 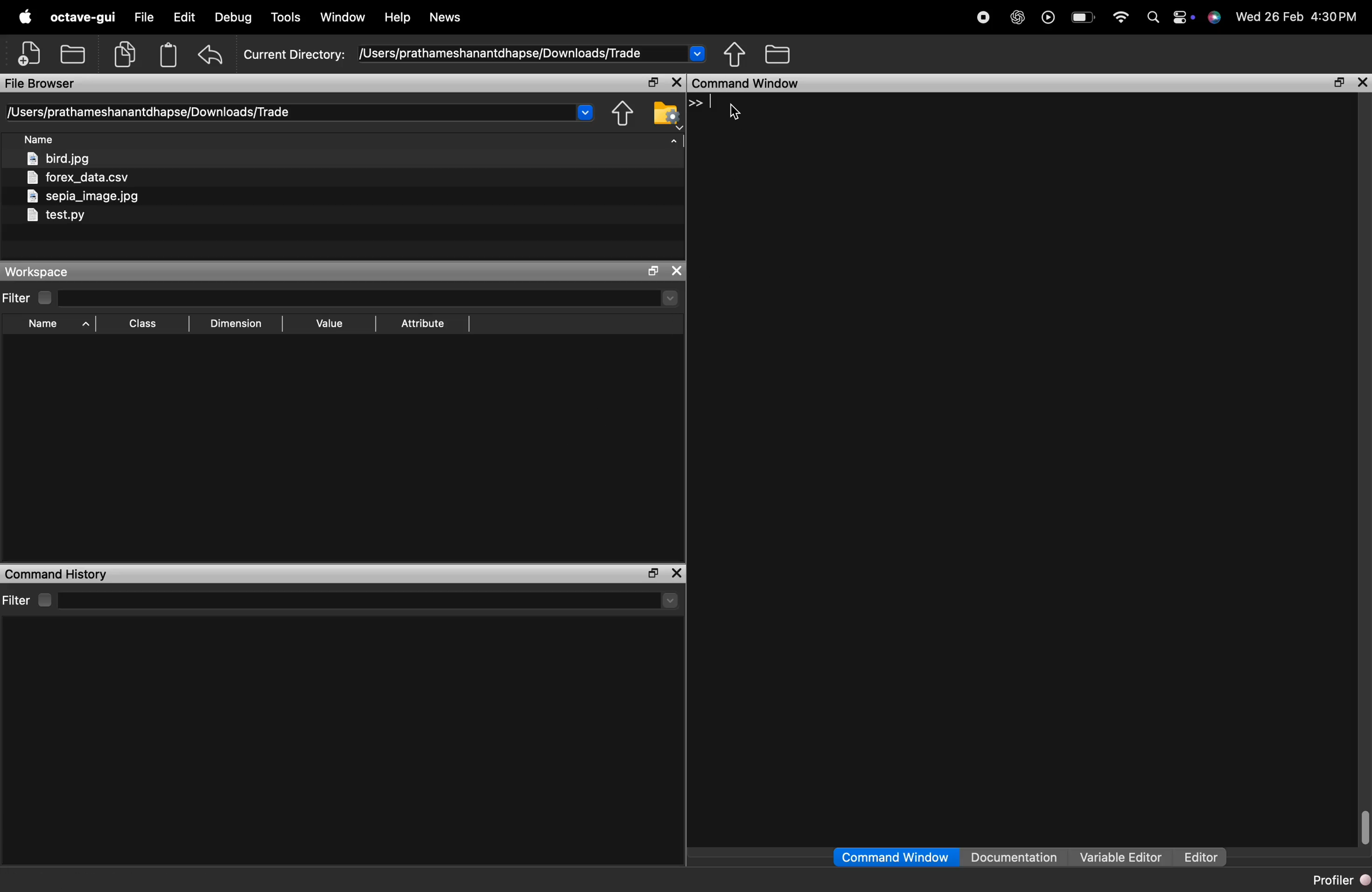 I want to click on copy, so click(x=126, y=54).